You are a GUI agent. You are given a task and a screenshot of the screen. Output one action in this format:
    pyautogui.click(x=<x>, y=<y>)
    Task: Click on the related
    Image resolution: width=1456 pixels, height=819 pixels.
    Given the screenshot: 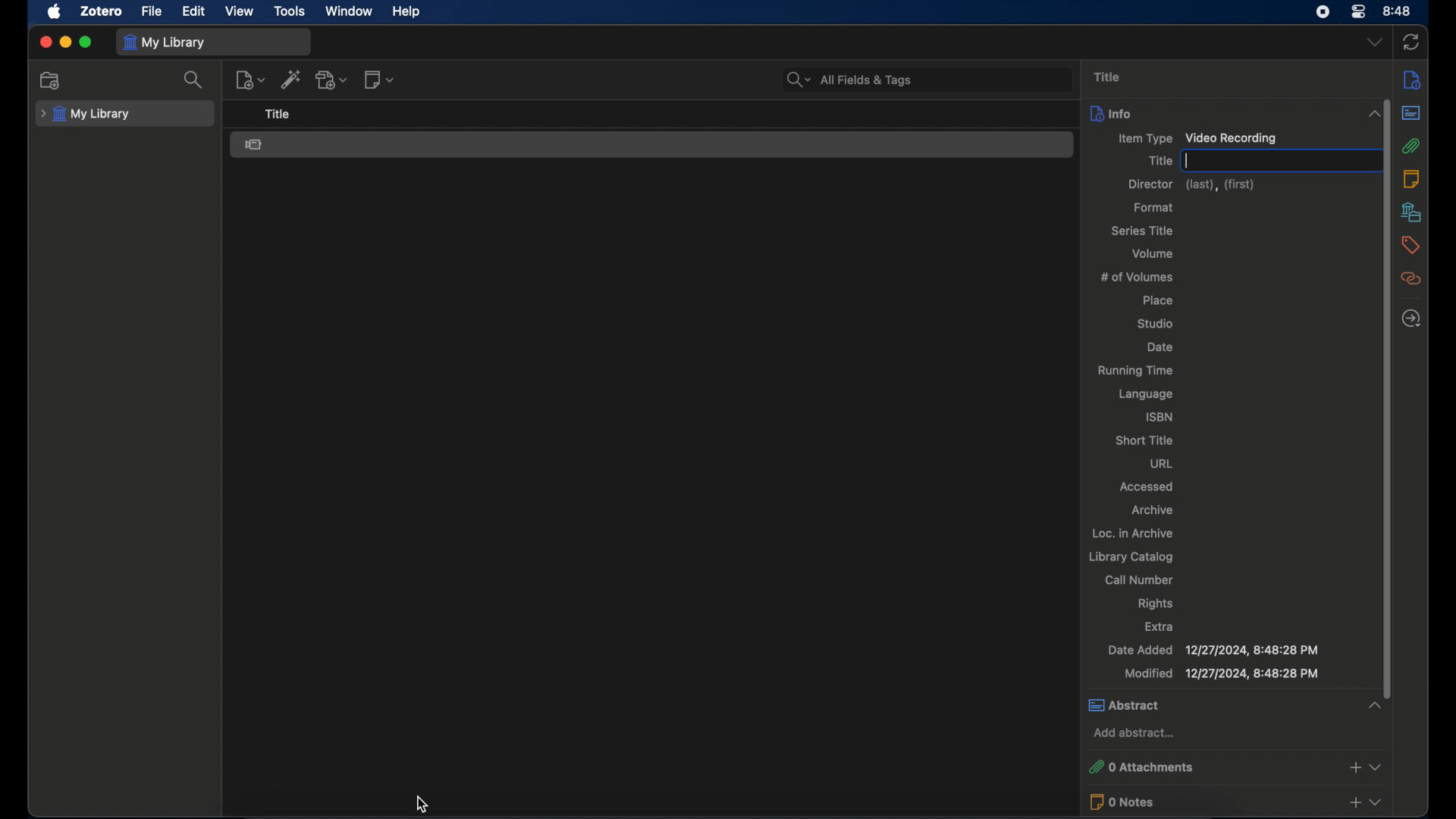 What is the action you would take?
    pyautogui.click(x=1411, y=279)
    